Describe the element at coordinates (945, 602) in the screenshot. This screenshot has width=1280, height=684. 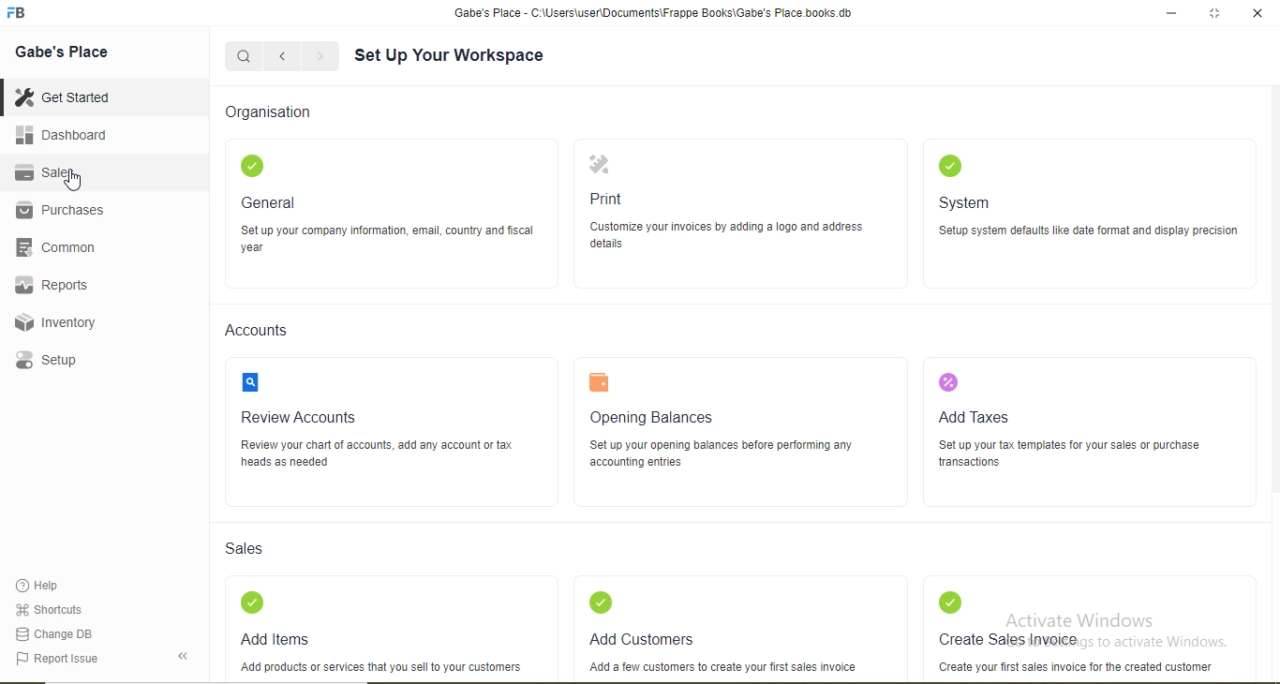
I see `tick` at that location.